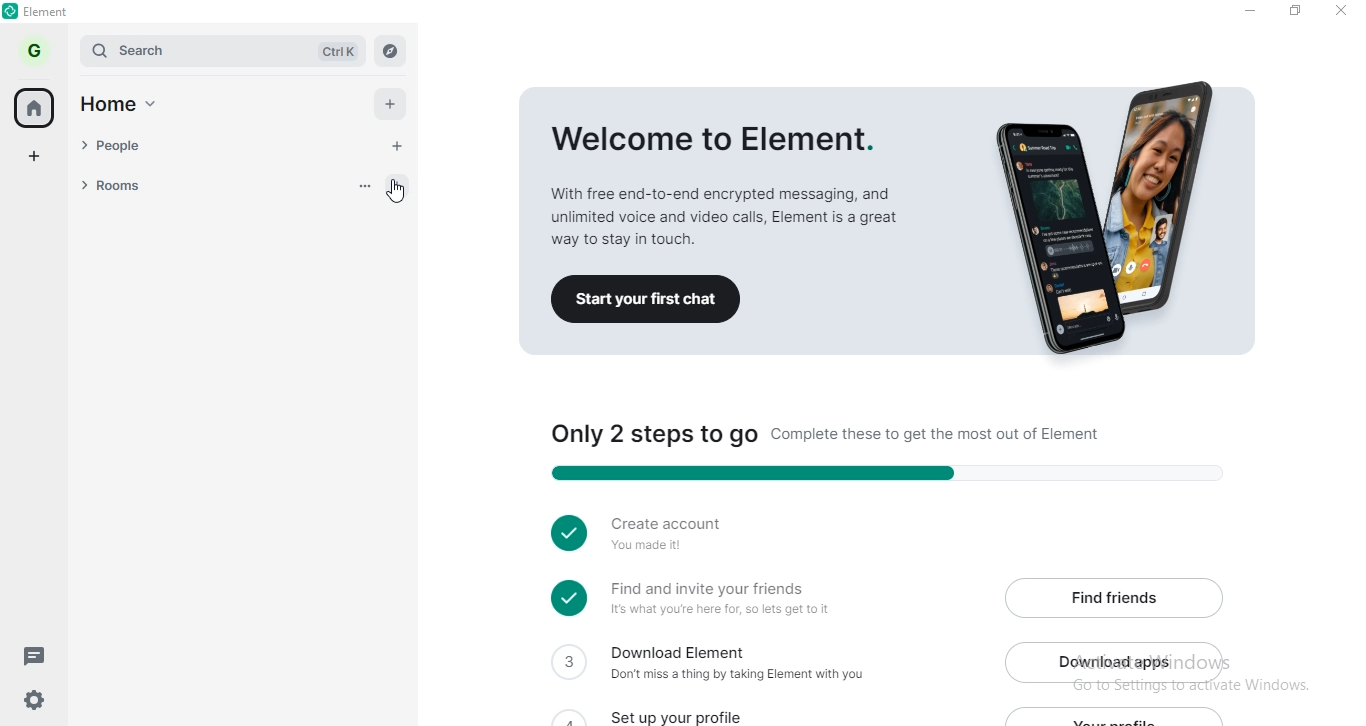  What do you see at coordinates (223, 148) in the screenshot?
I see `people` at bounding box center [223, 148].